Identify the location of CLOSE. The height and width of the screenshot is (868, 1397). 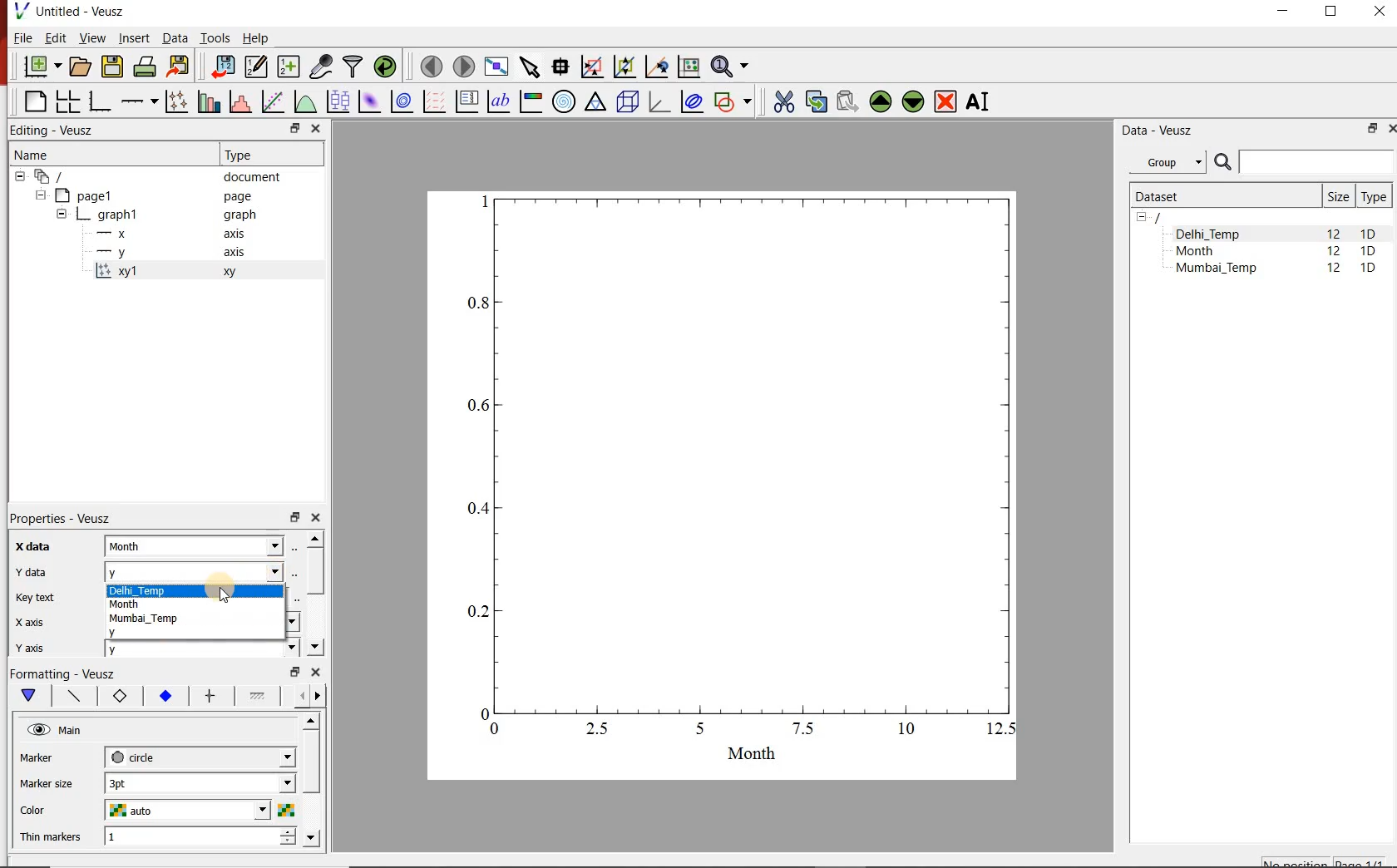
(1377, 11).